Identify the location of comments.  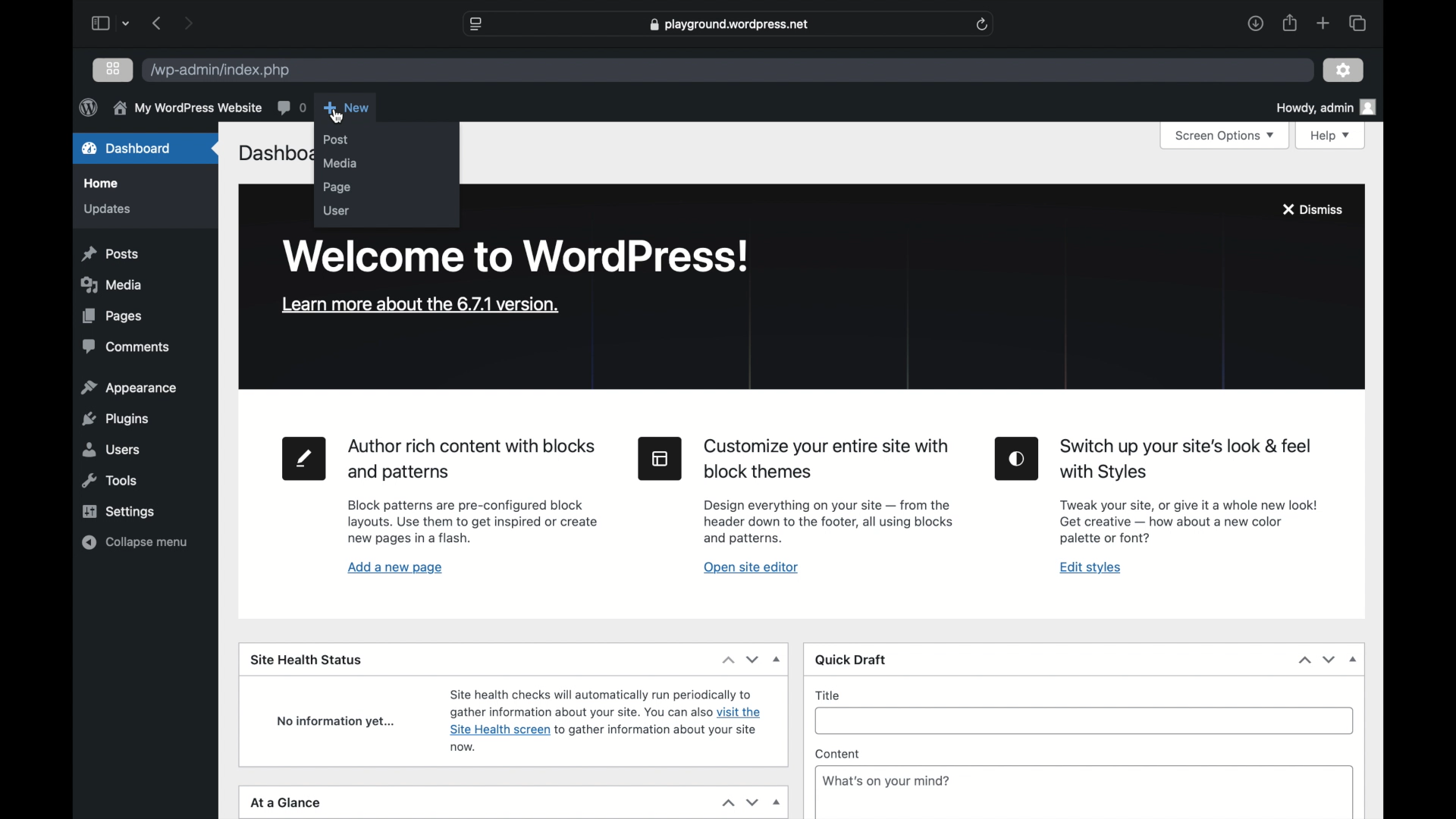
(291, 107).